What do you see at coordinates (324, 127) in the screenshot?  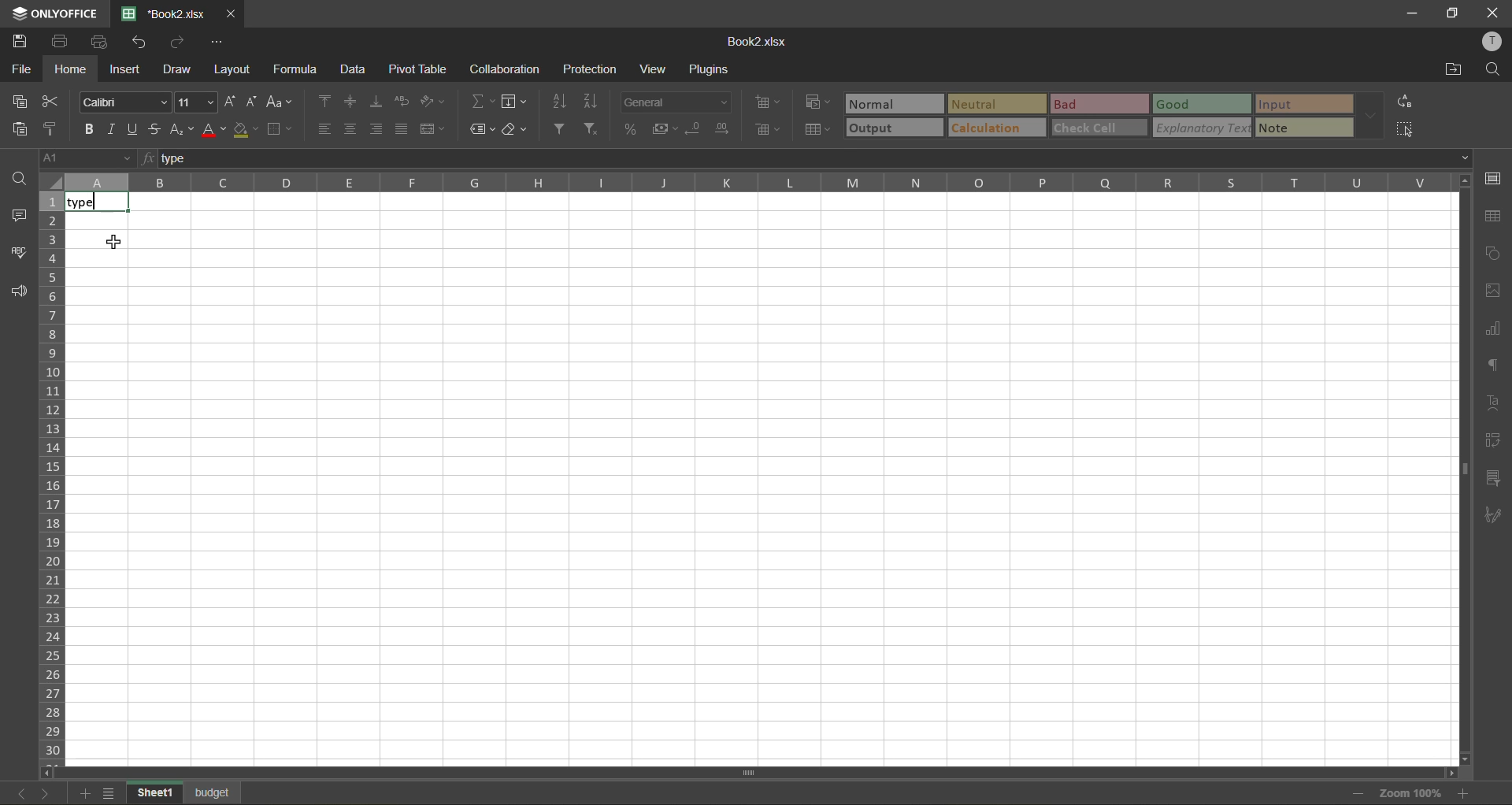 I see `align left` at bounding box center [324, 127].